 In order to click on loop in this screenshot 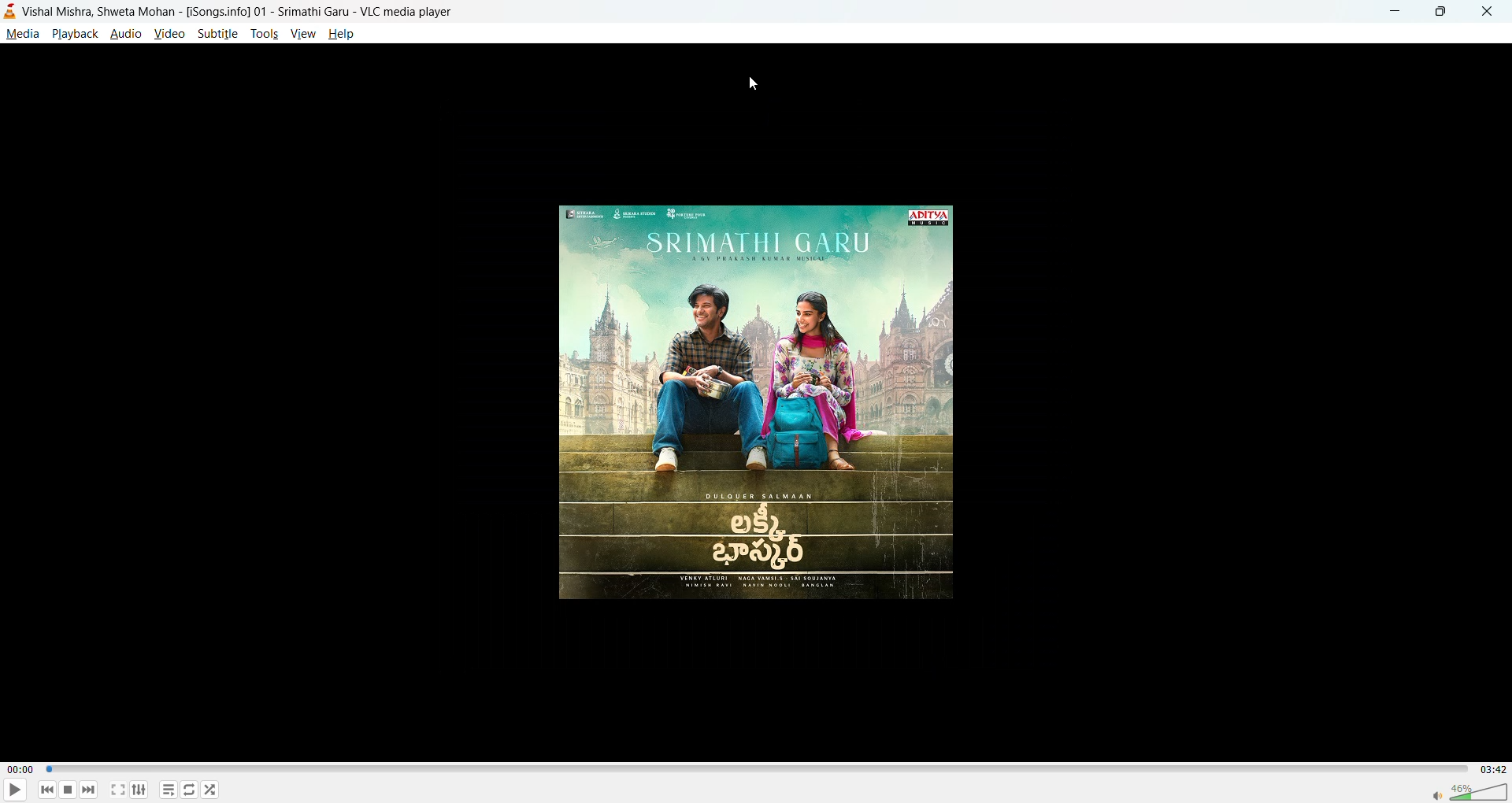, I will do `click(187, 789)`.